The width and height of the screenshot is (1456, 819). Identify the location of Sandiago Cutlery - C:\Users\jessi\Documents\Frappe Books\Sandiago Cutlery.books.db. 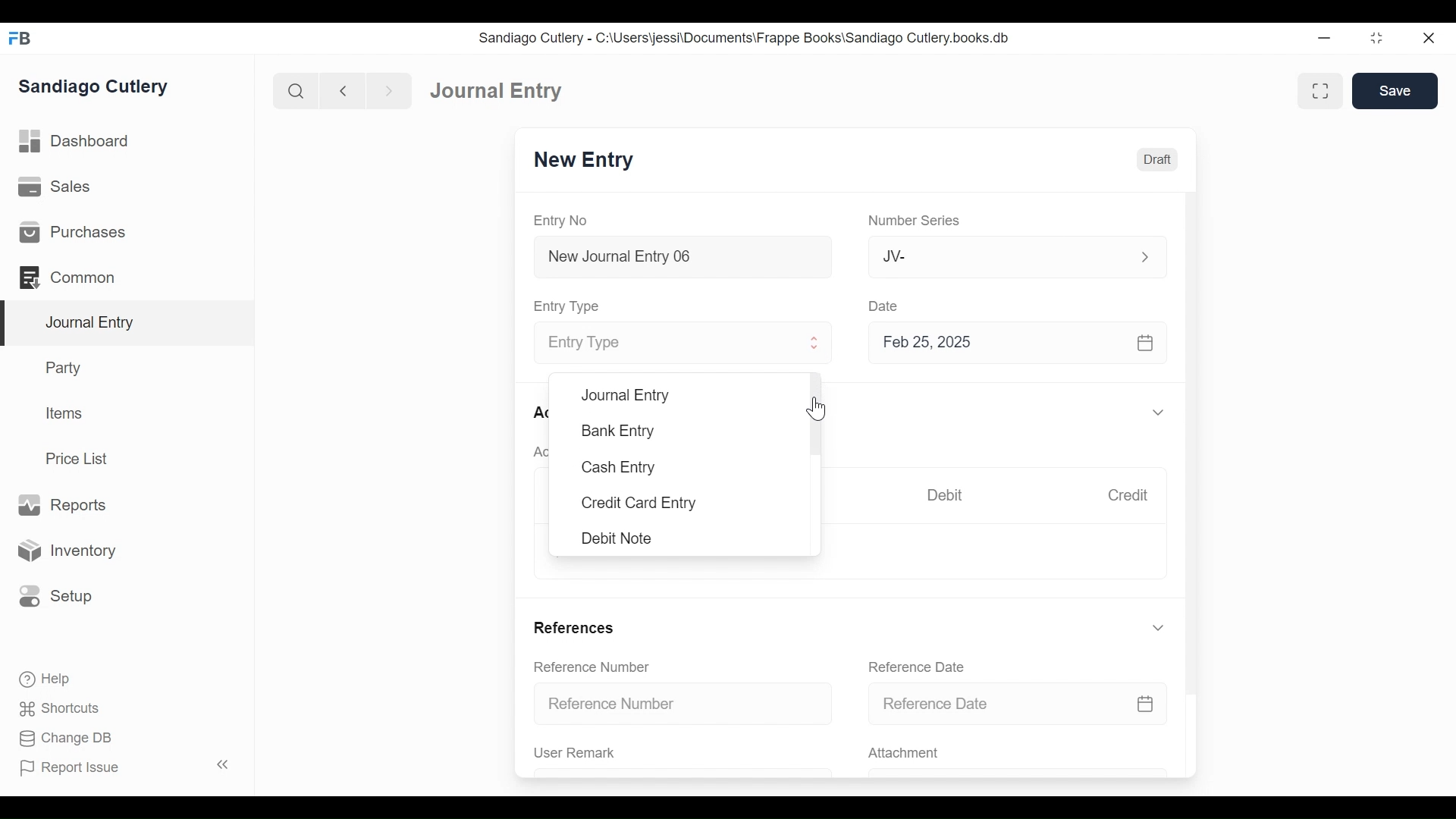
(745, 38).